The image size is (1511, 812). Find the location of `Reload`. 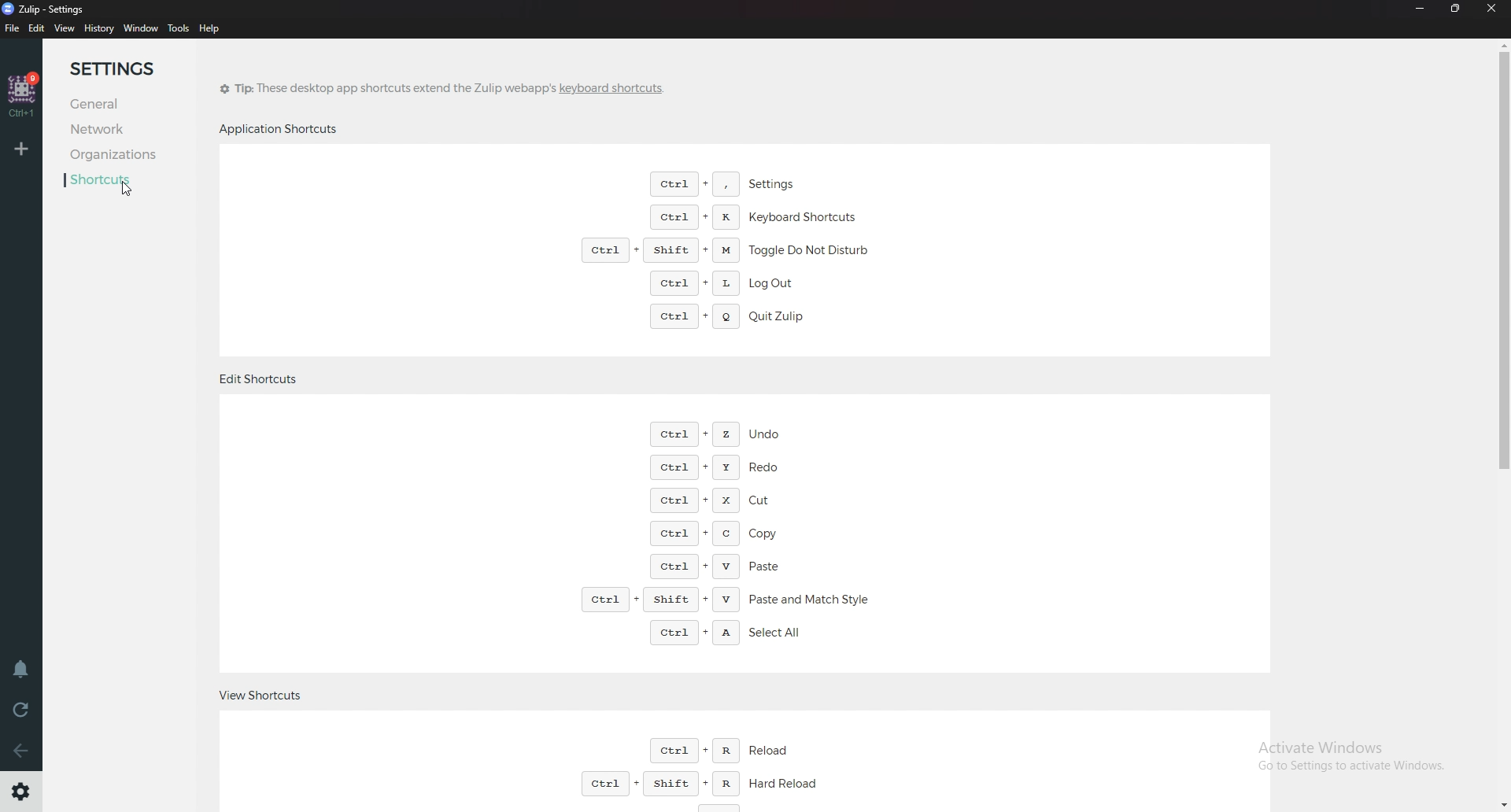

Reload is located at coordinates (17, 711).